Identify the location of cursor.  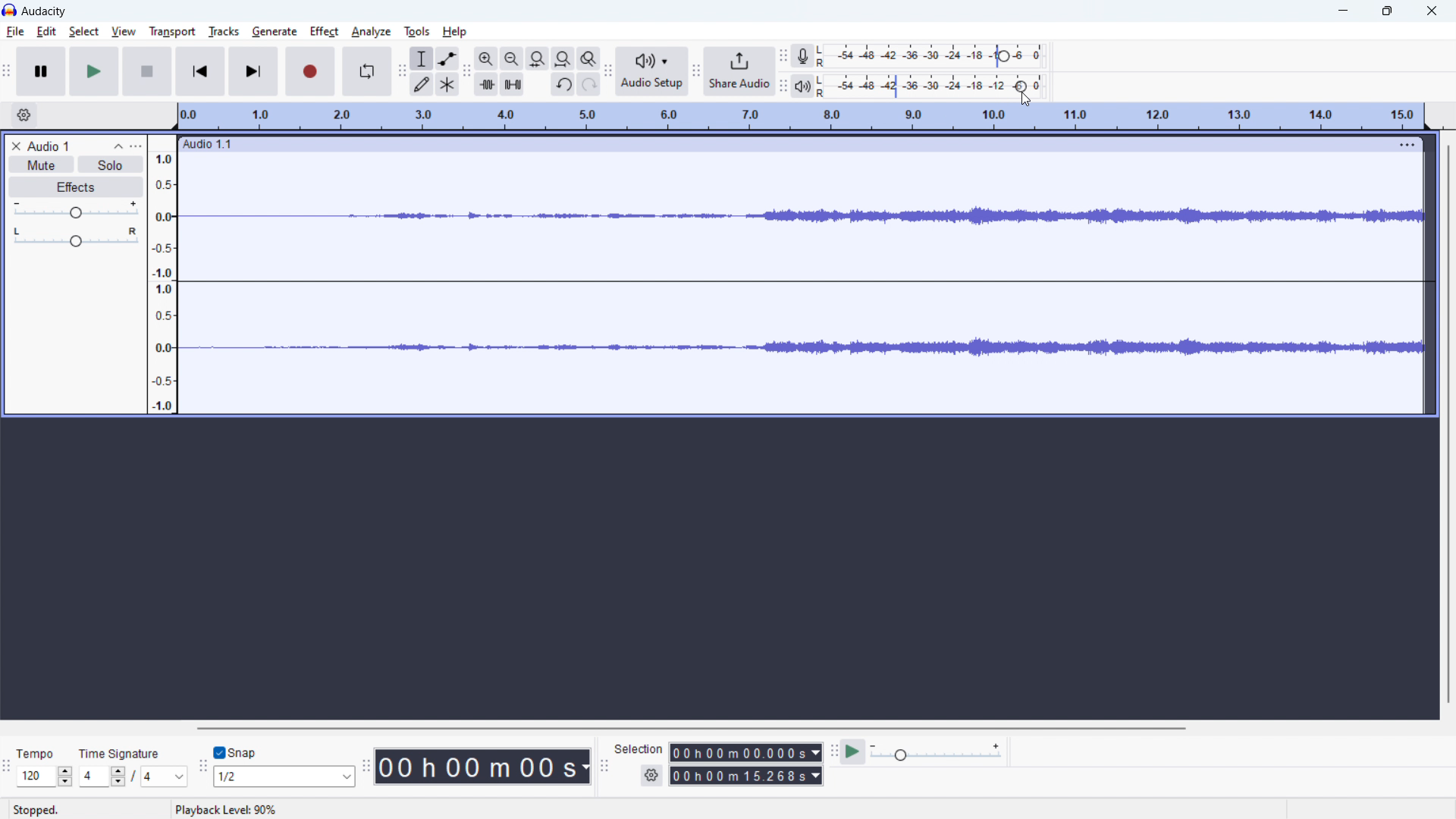
(1028, 99).